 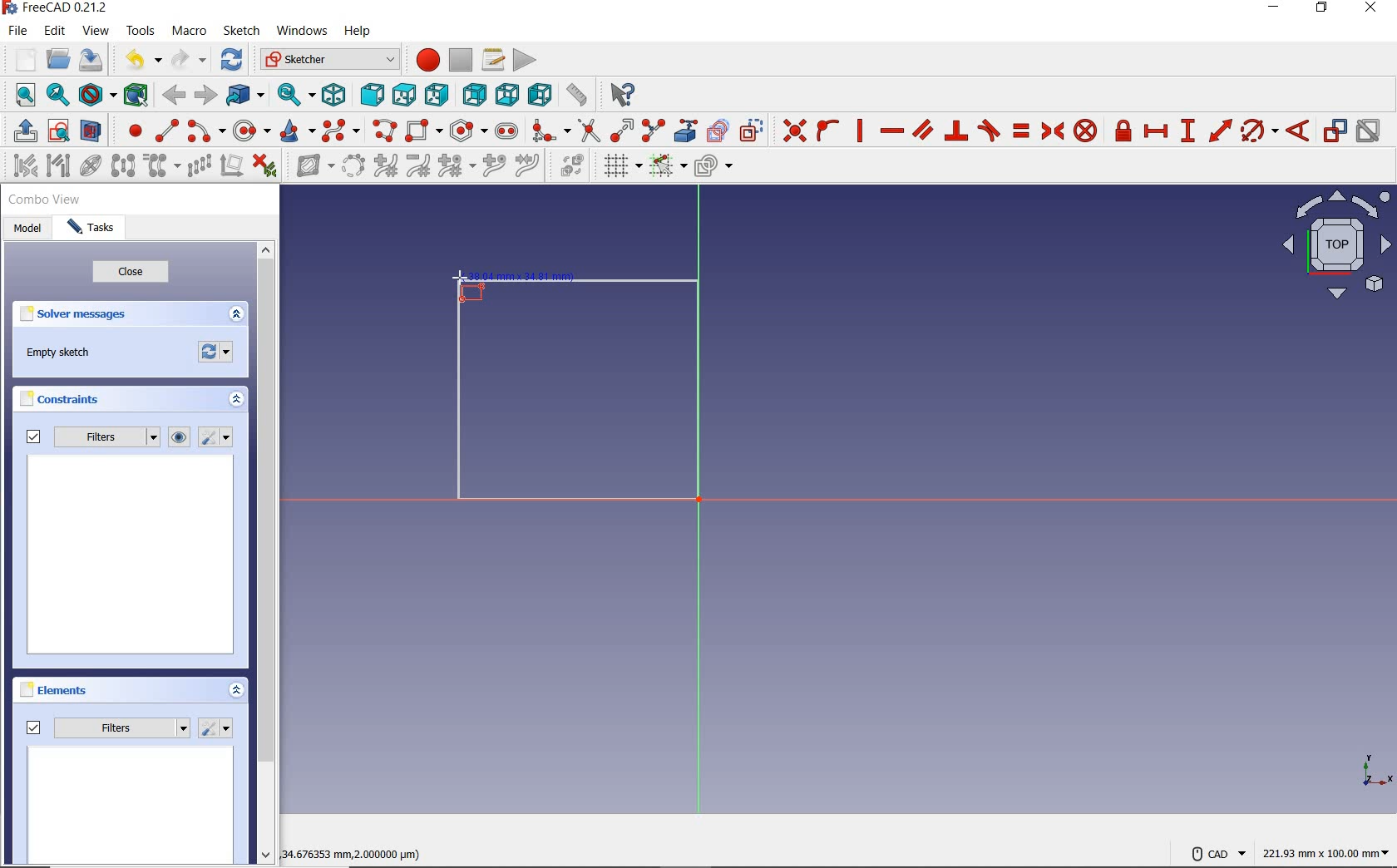 What do you see at coordinates (180, 437) in the screenshot?
I see `show or hide all listed constraints from 3D view` at bounding box center [180, 437].